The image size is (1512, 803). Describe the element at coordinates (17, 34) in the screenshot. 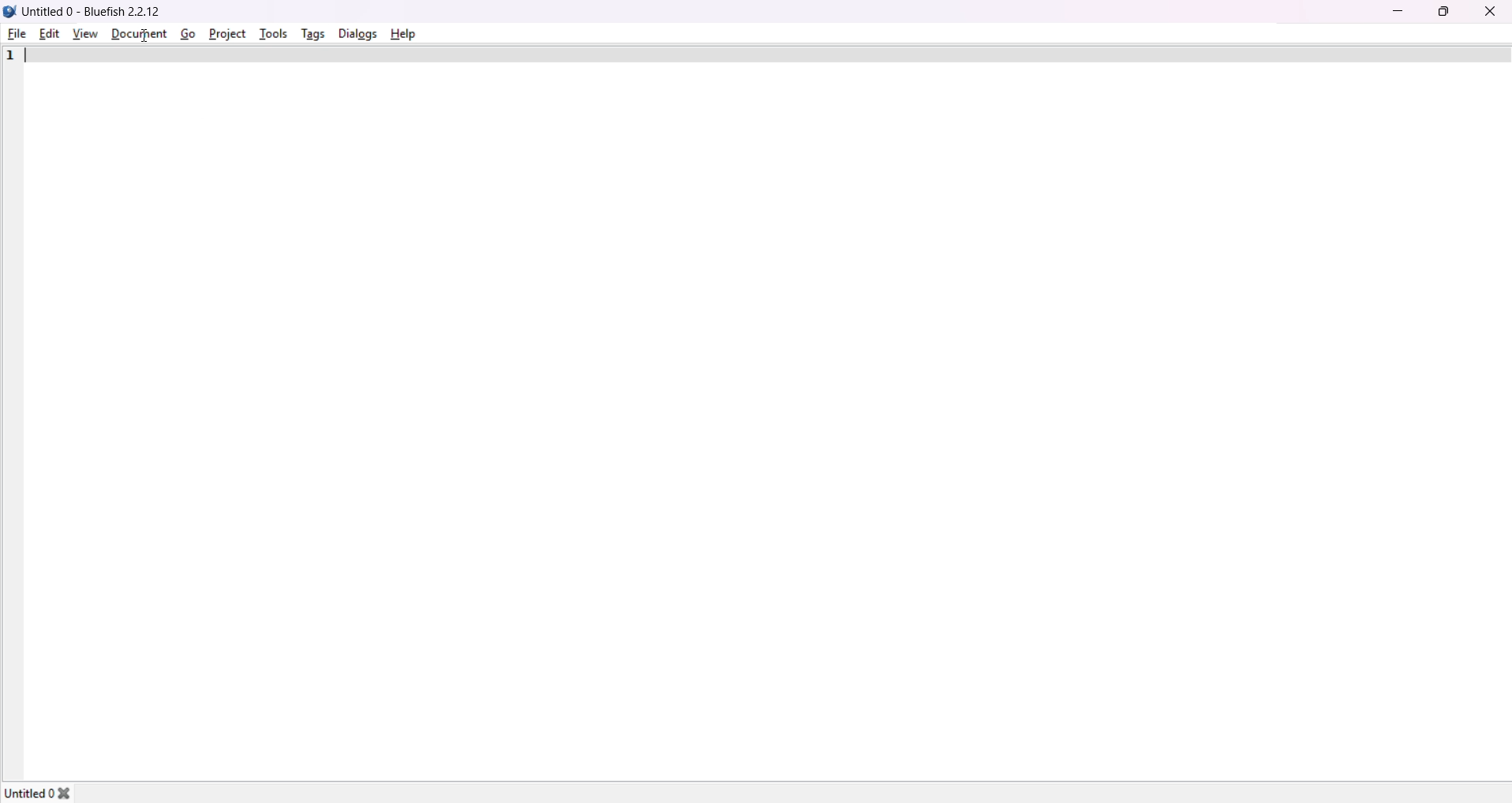

I see `file` at that location.